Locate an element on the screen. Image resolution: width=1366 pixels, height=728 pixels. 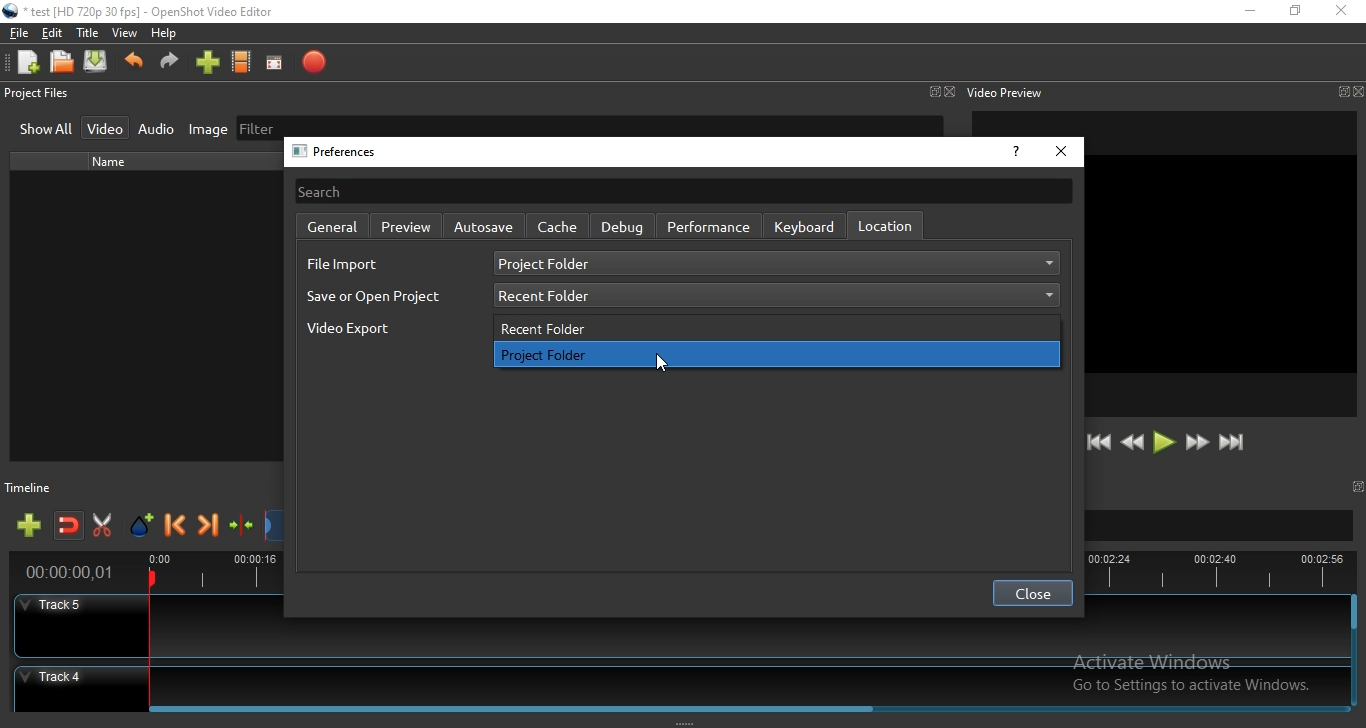
location is located at coordinates (884, 225).